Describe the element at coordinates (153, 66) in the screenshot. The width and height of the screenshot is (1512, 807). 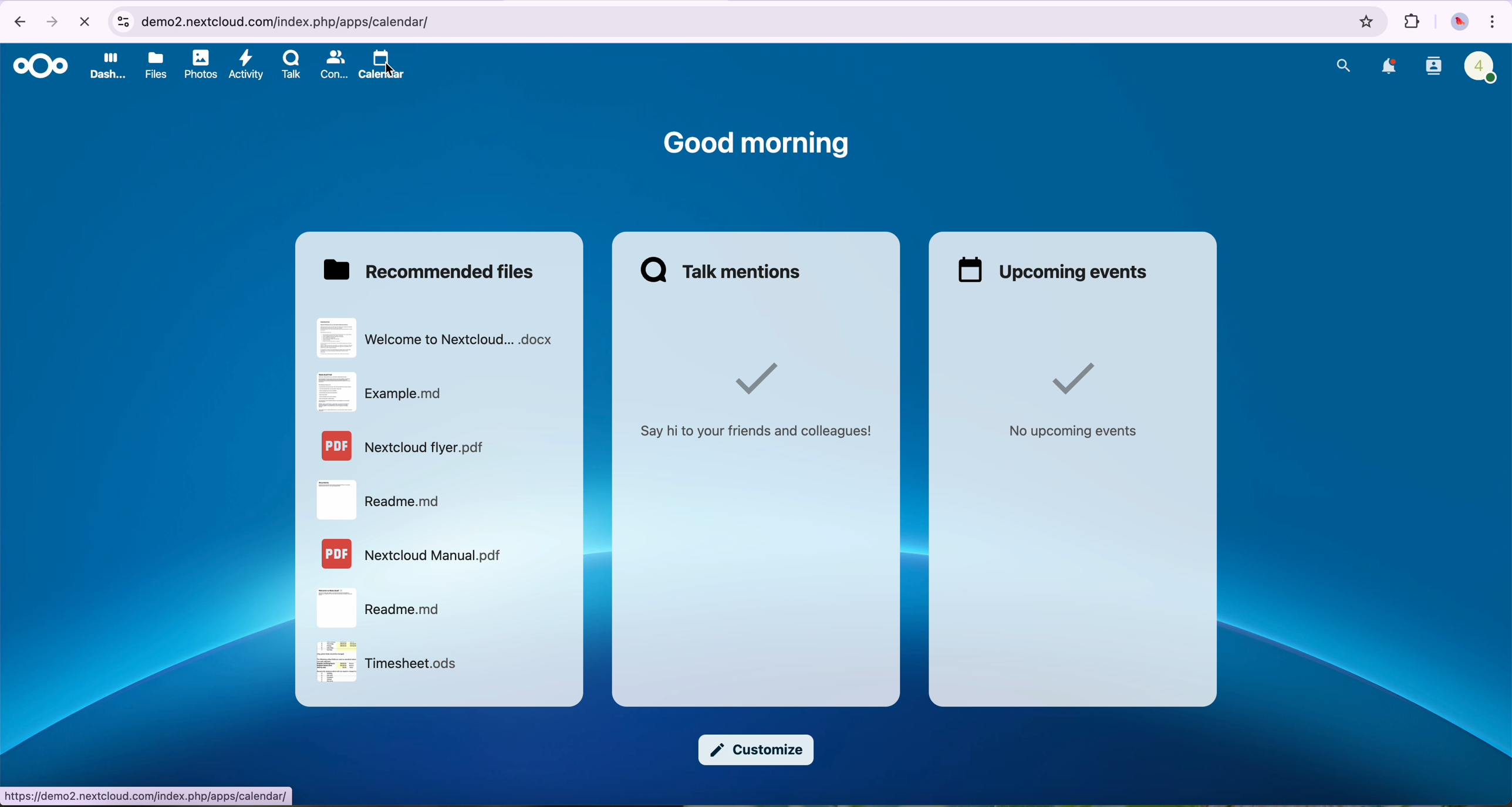
I see `files` at that location.